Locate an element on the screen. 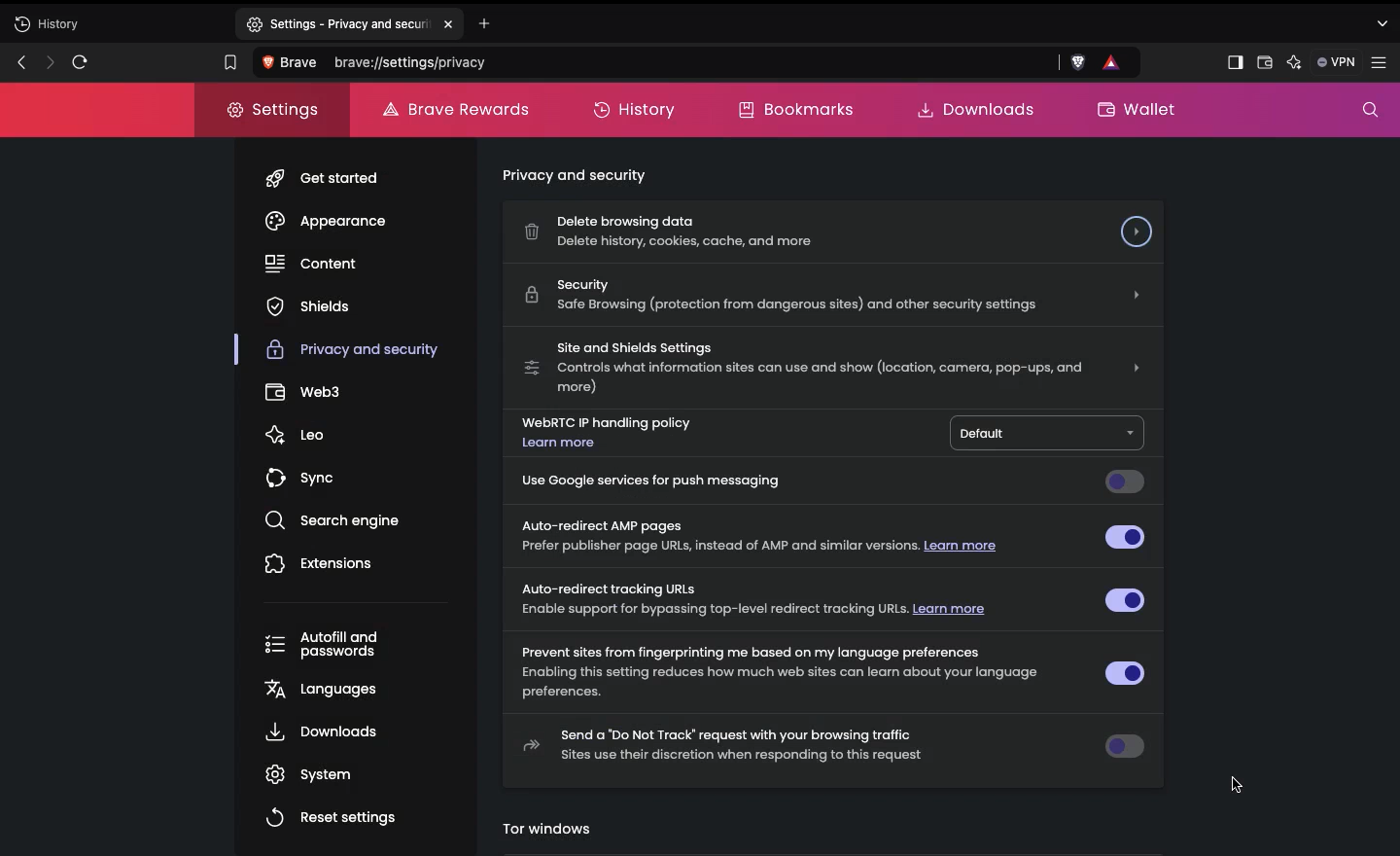  Use google services for push messaging is located at coordinates (832, 482).